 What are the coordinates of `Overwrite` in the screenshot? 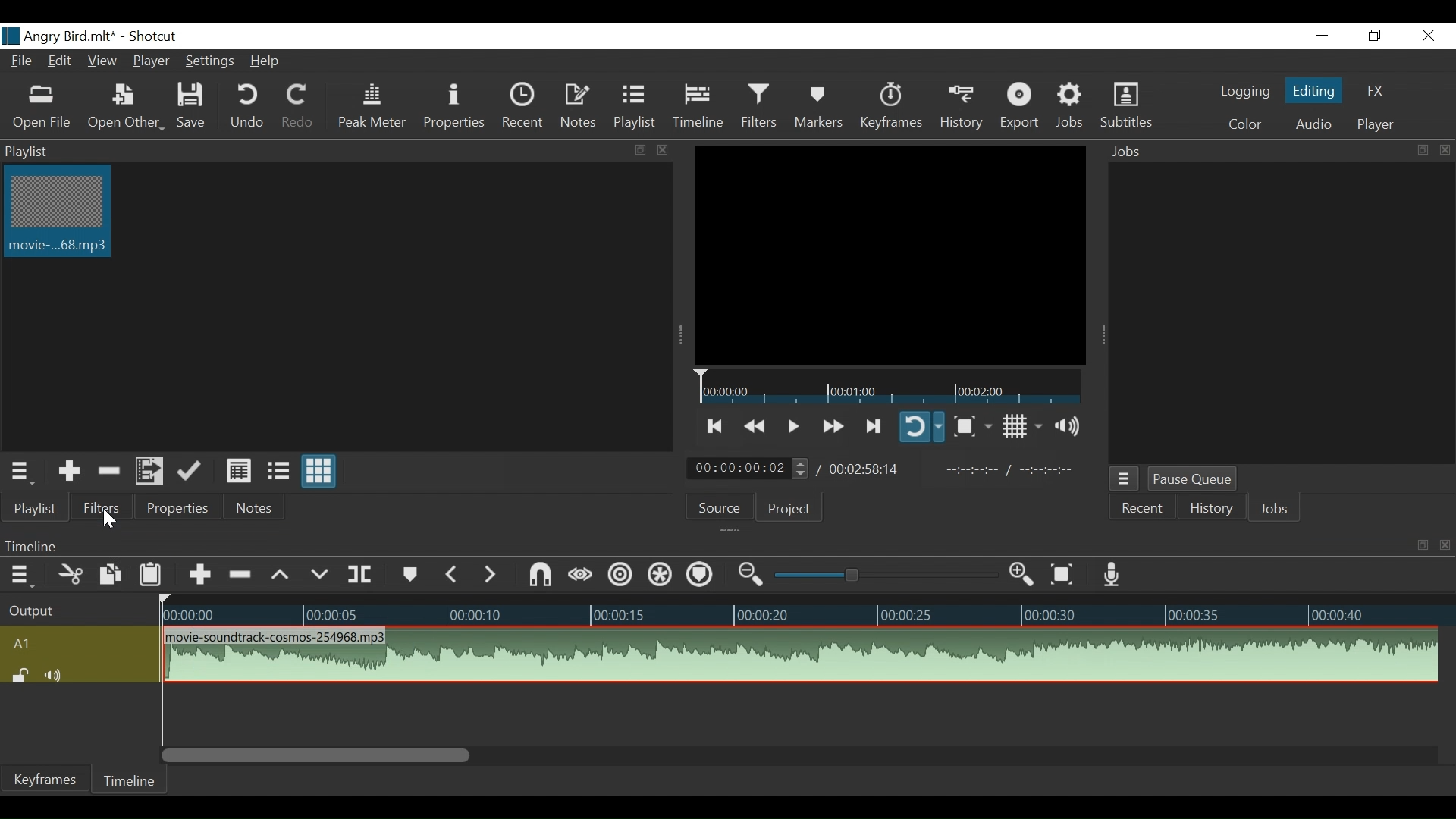 It's located at (321, 573).